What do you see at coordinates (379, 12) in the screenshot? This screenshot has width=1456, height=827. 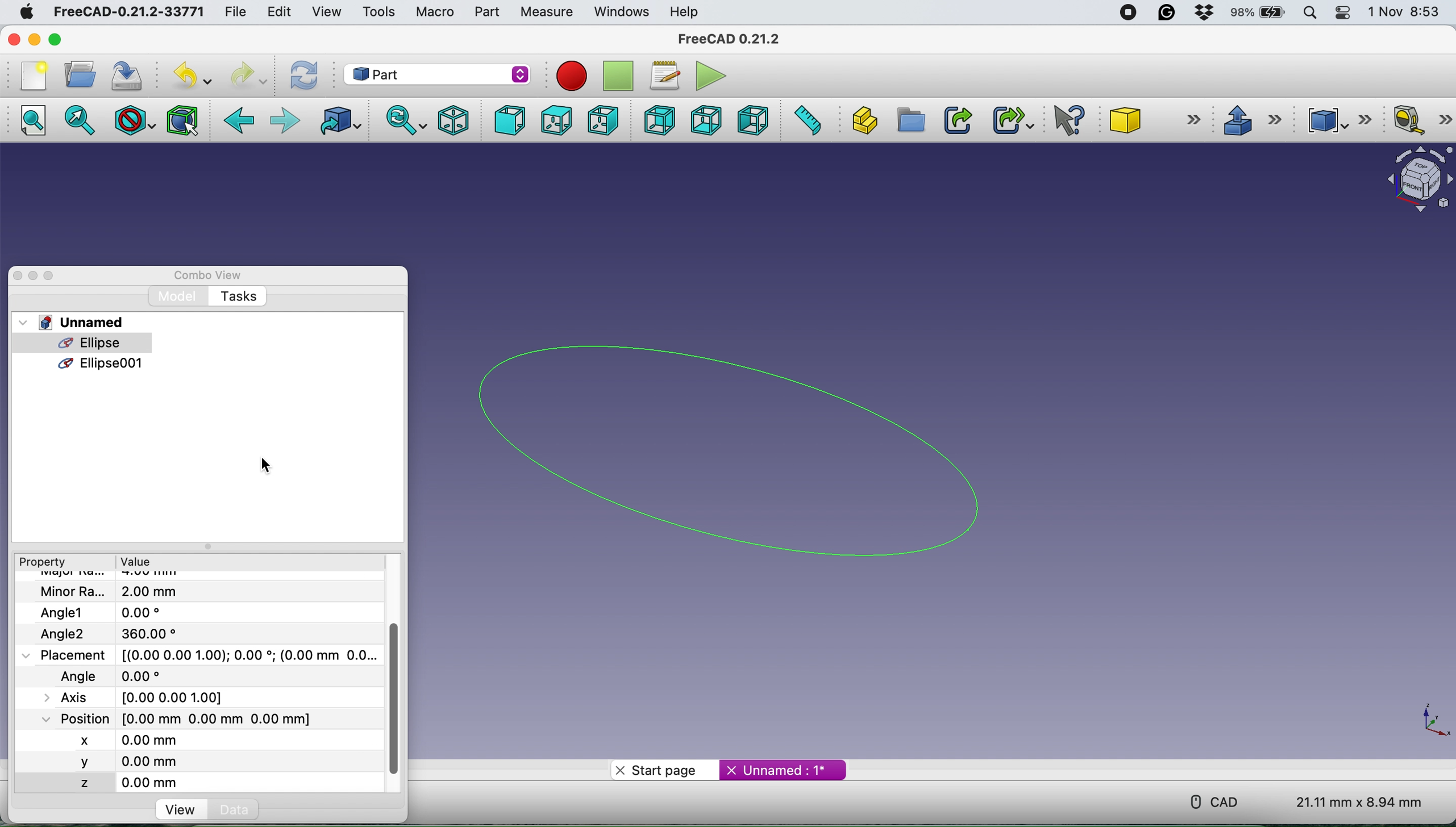 I see `tools` at bounding box center [379, 12].